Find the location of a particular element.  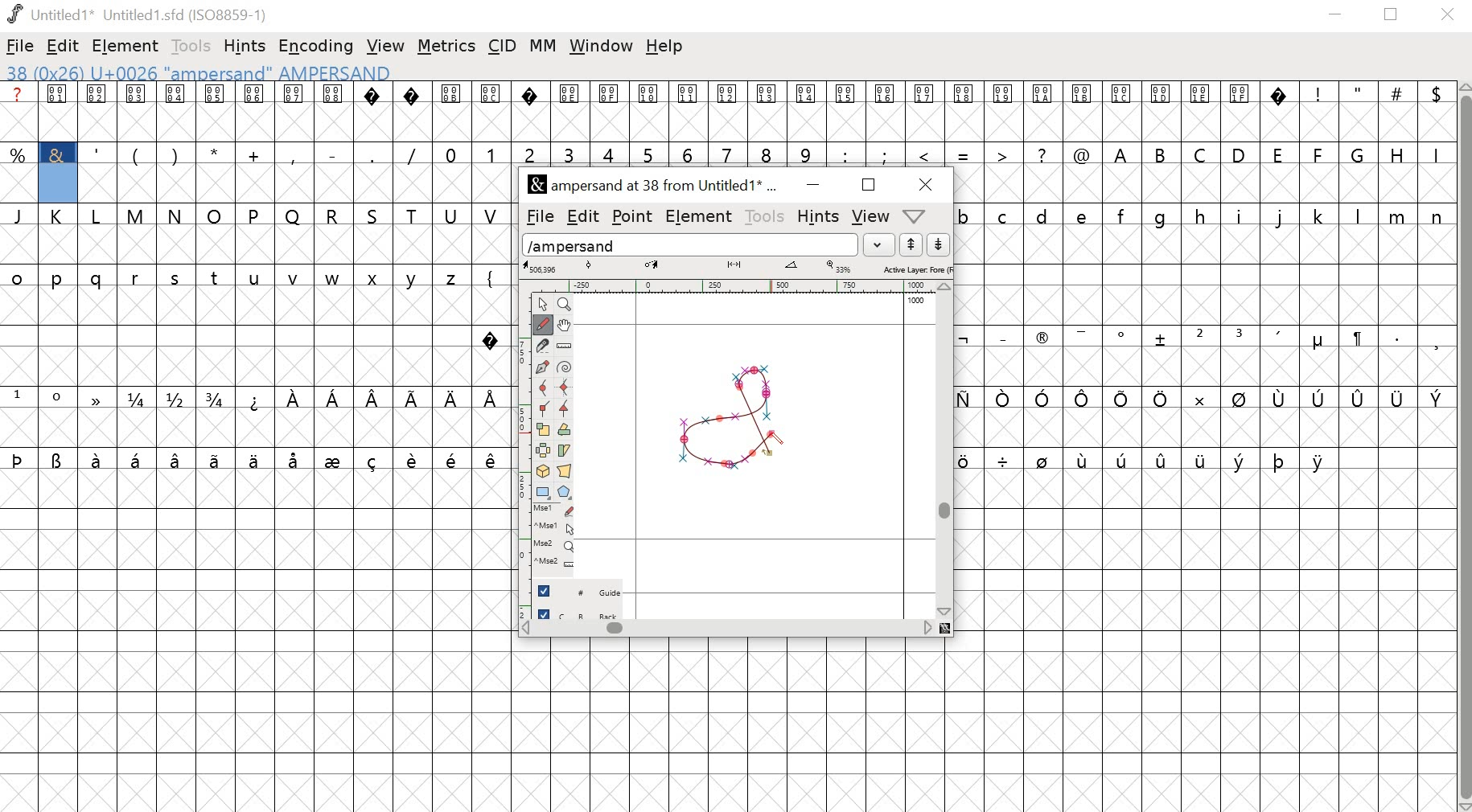

close is located at coordinates (1450, 15).